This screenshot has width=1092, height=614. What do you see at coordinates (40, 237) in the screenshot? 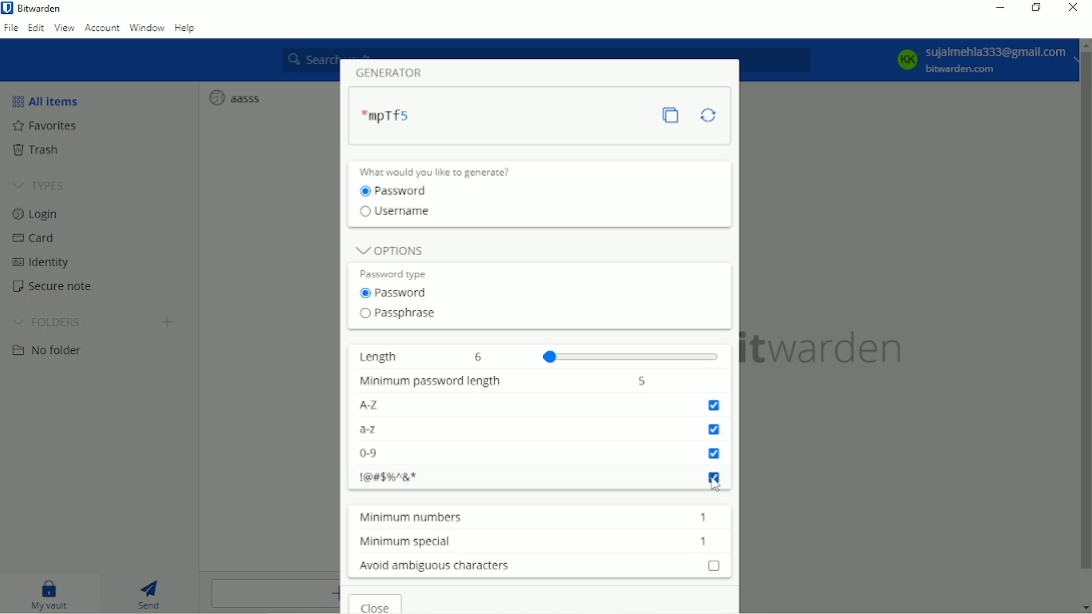
I see `Card` at bounding box center [40, 237].